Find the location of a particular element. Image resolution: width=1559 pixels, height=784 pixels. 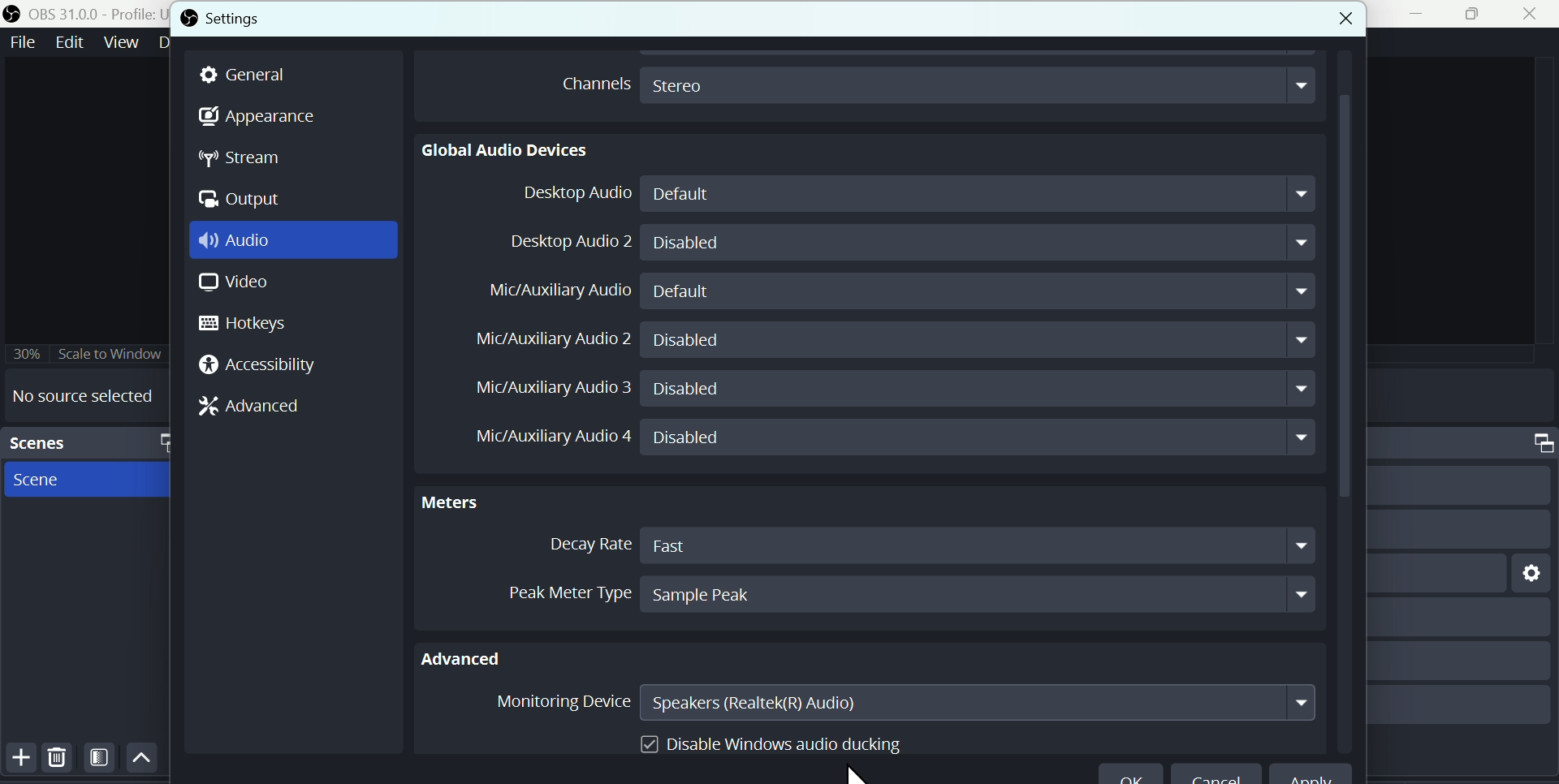

vertical scrollbar is located at coordinates (1345, 404).